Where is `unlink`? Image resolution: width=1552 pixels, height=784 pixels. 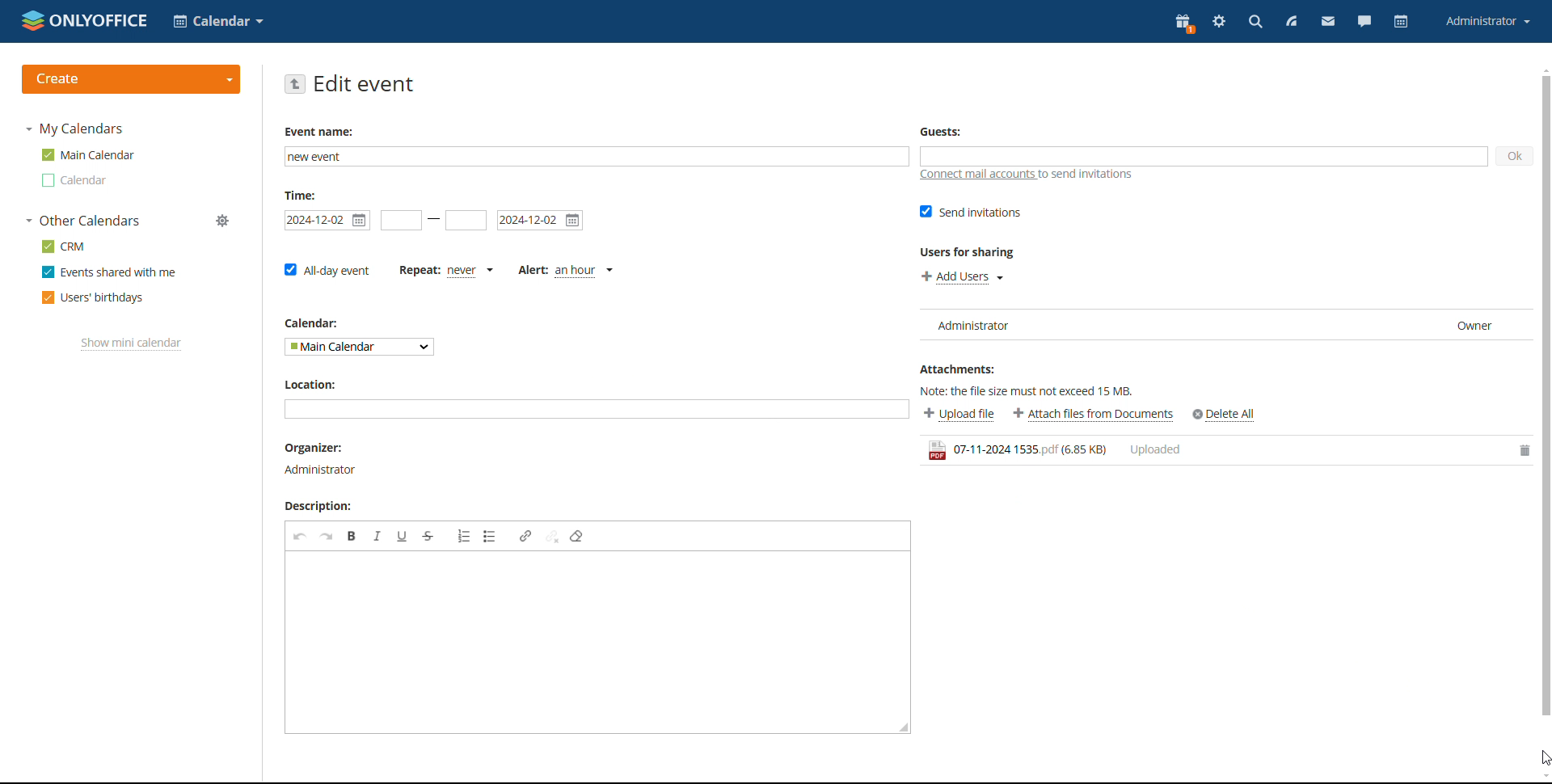
unlink is located at coordinates (552, 535).